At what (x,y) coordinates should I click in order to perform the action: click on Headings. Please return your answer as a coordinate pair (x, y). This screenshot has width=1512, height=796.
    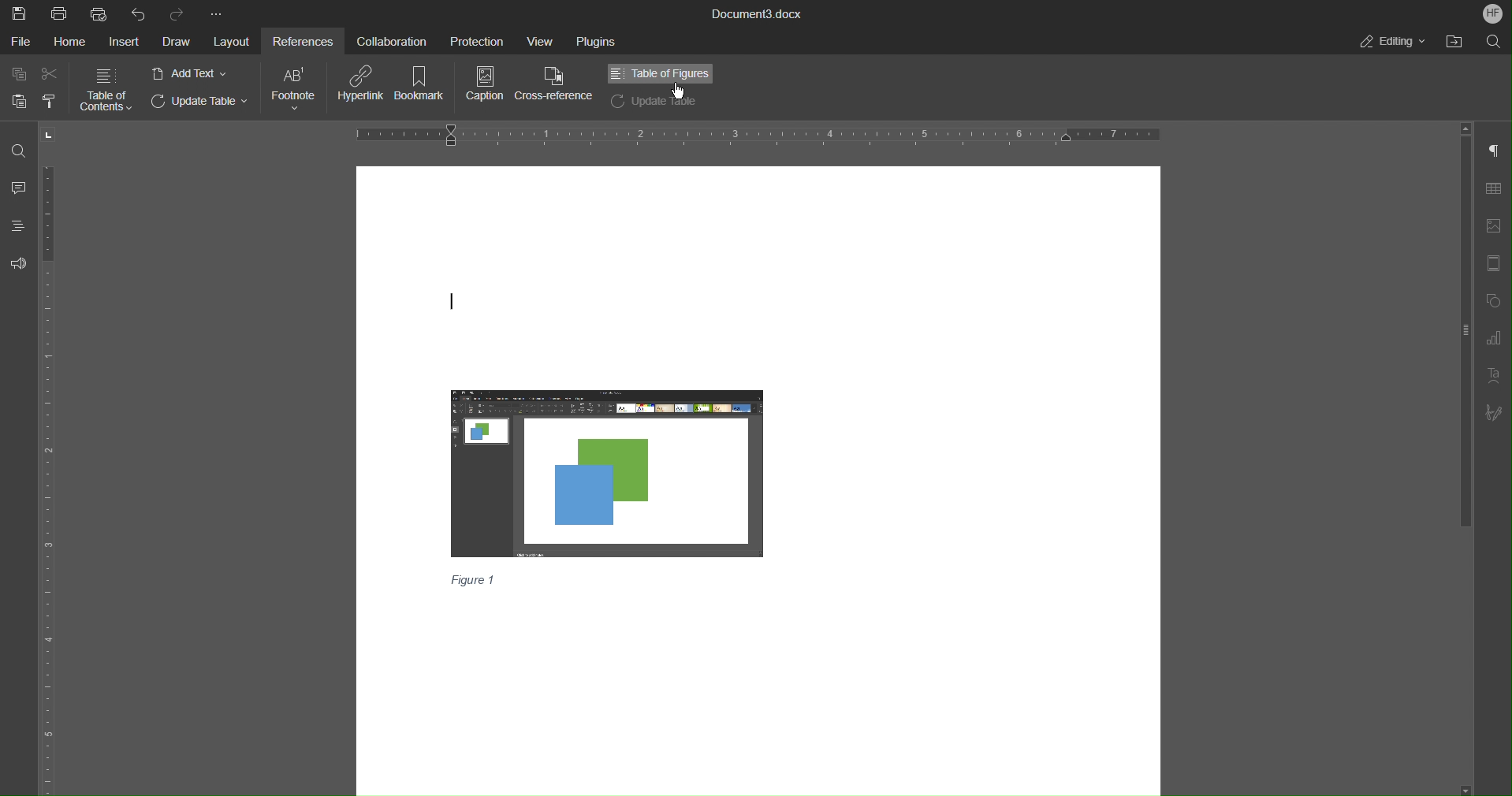
    Looking at the image, I should click on (16, 225).